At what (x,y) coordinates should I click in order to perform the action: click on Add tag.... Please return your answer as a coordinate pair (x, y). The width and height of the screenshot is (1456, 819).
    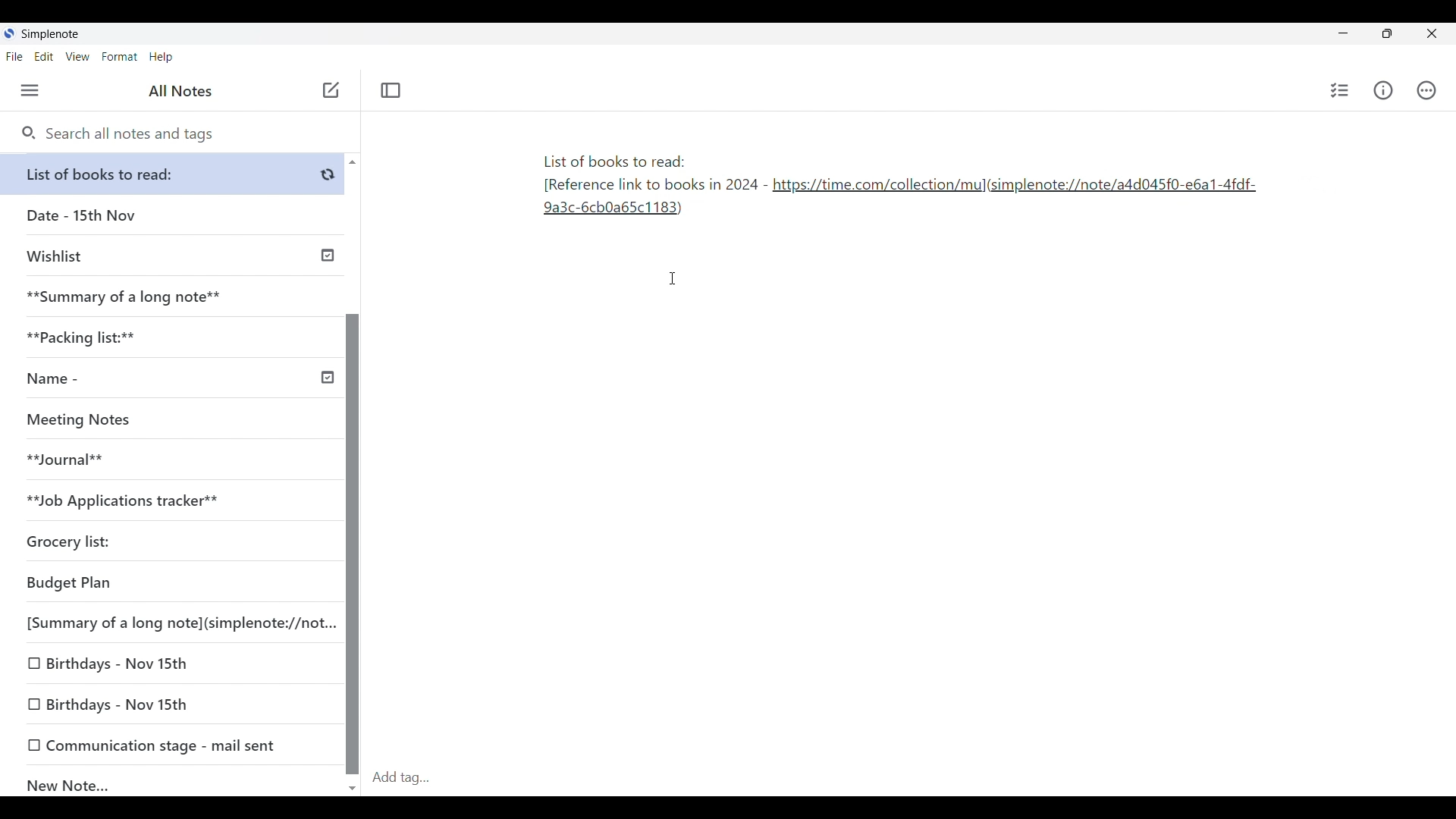
    Looking at the image, I should click on (410, 777).